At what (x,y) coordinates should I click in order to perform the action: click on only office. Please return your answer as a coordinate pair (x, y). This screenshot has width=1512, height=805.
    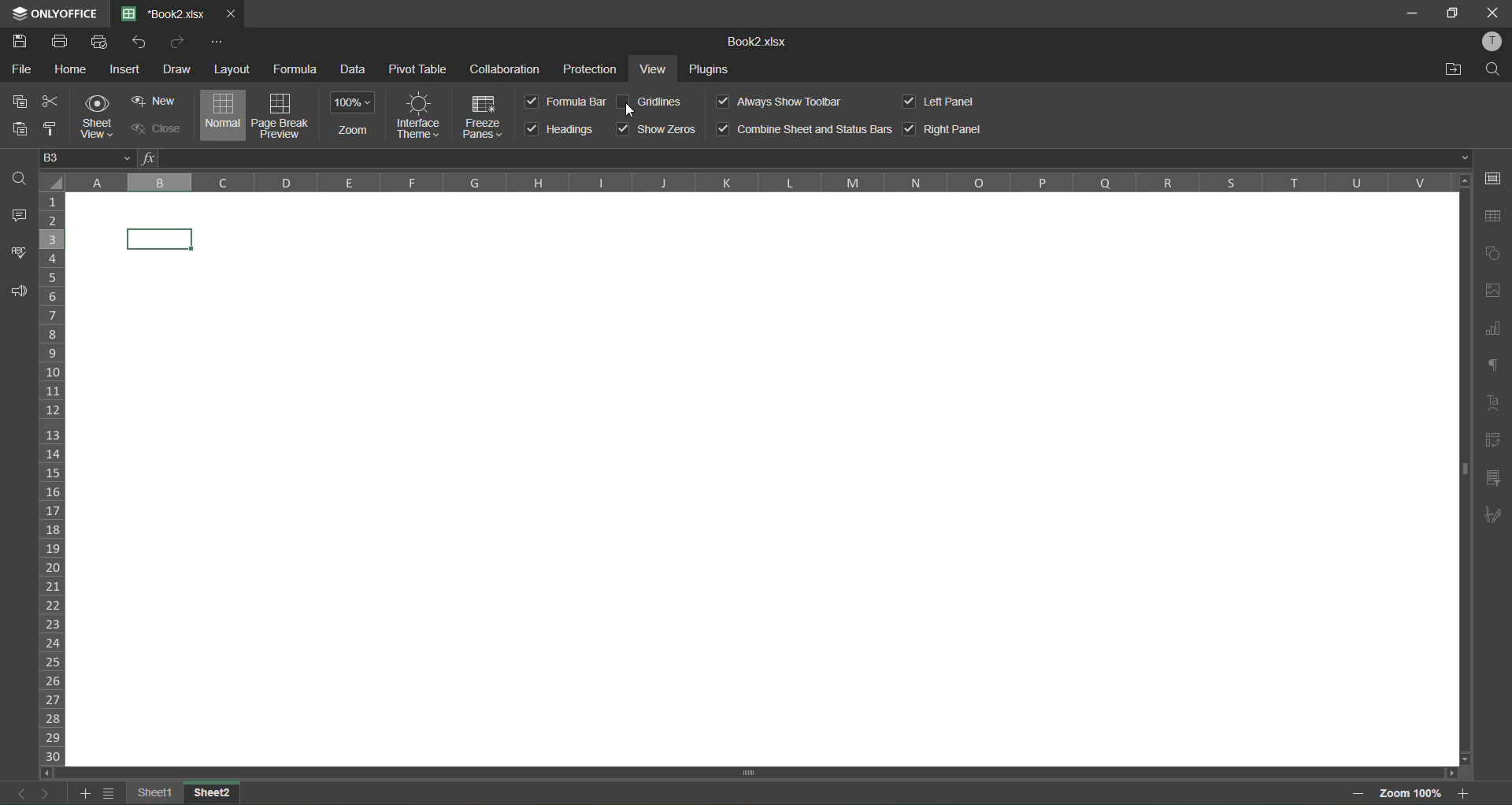
    Looking at the image, I should click on (54, 12).